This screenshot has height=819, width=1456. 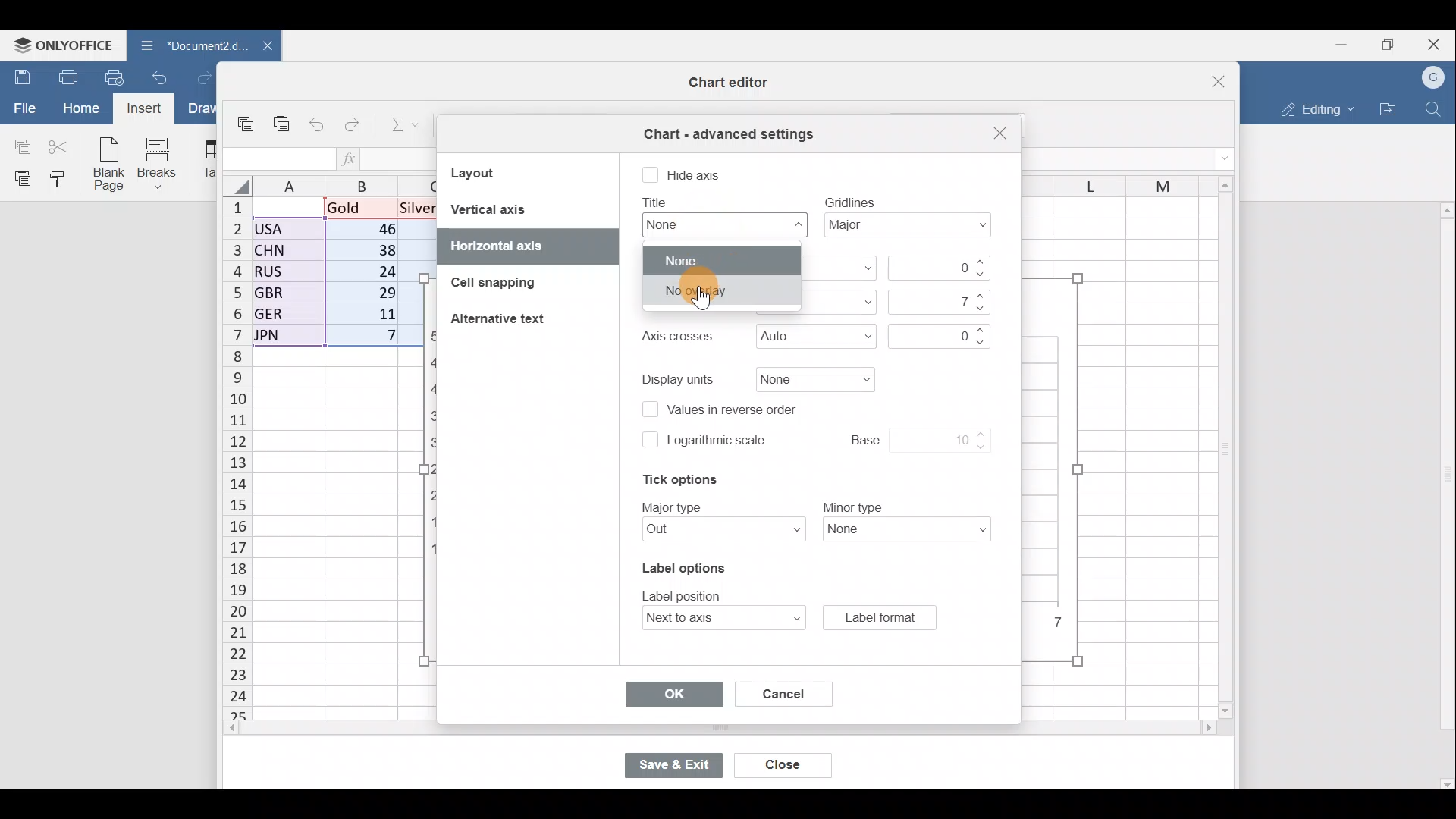 I want to click on text, so click(x=853, y=506).